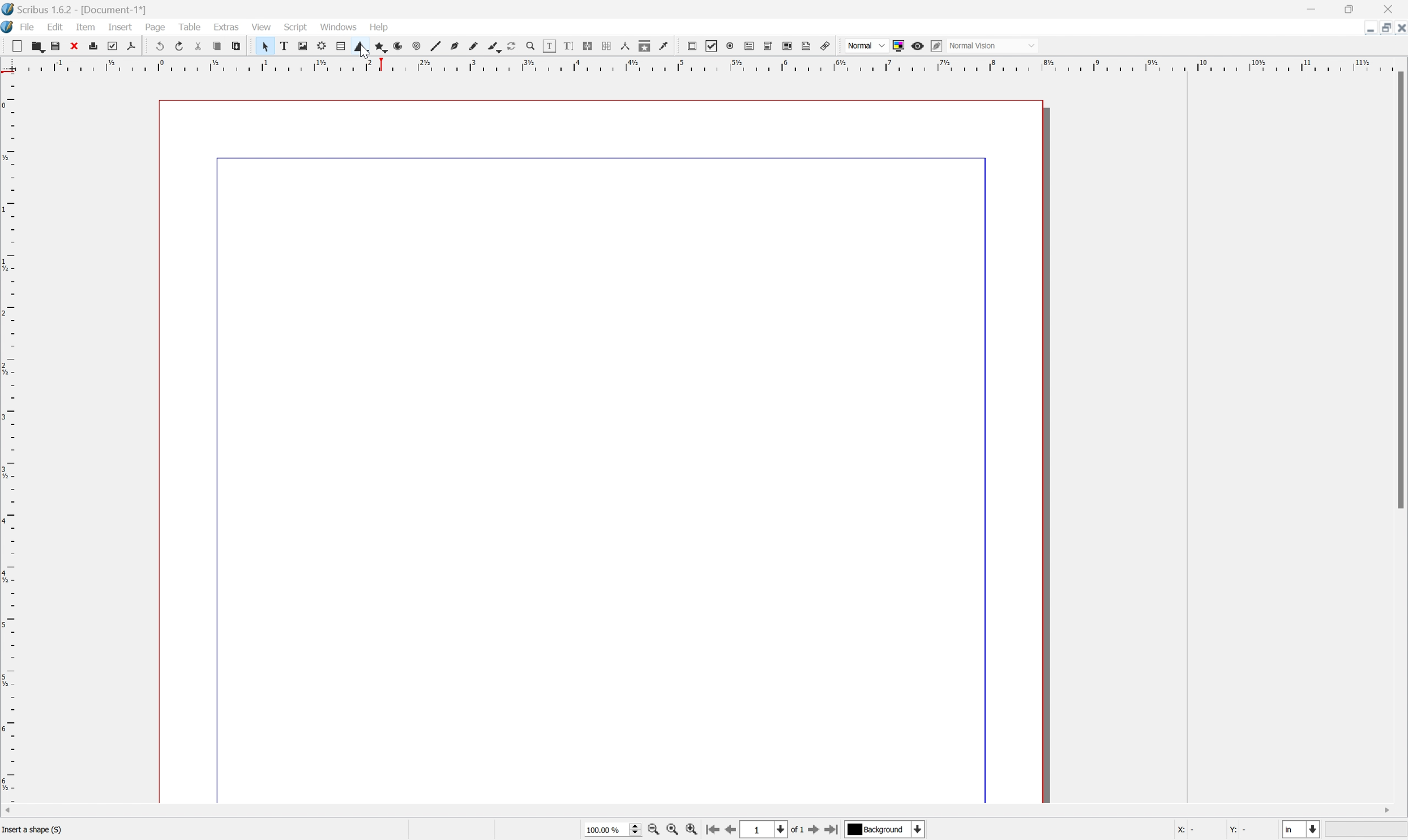  Describe the element at coordinates (1179, 829) in the screenshot. I see `X:` at that location.